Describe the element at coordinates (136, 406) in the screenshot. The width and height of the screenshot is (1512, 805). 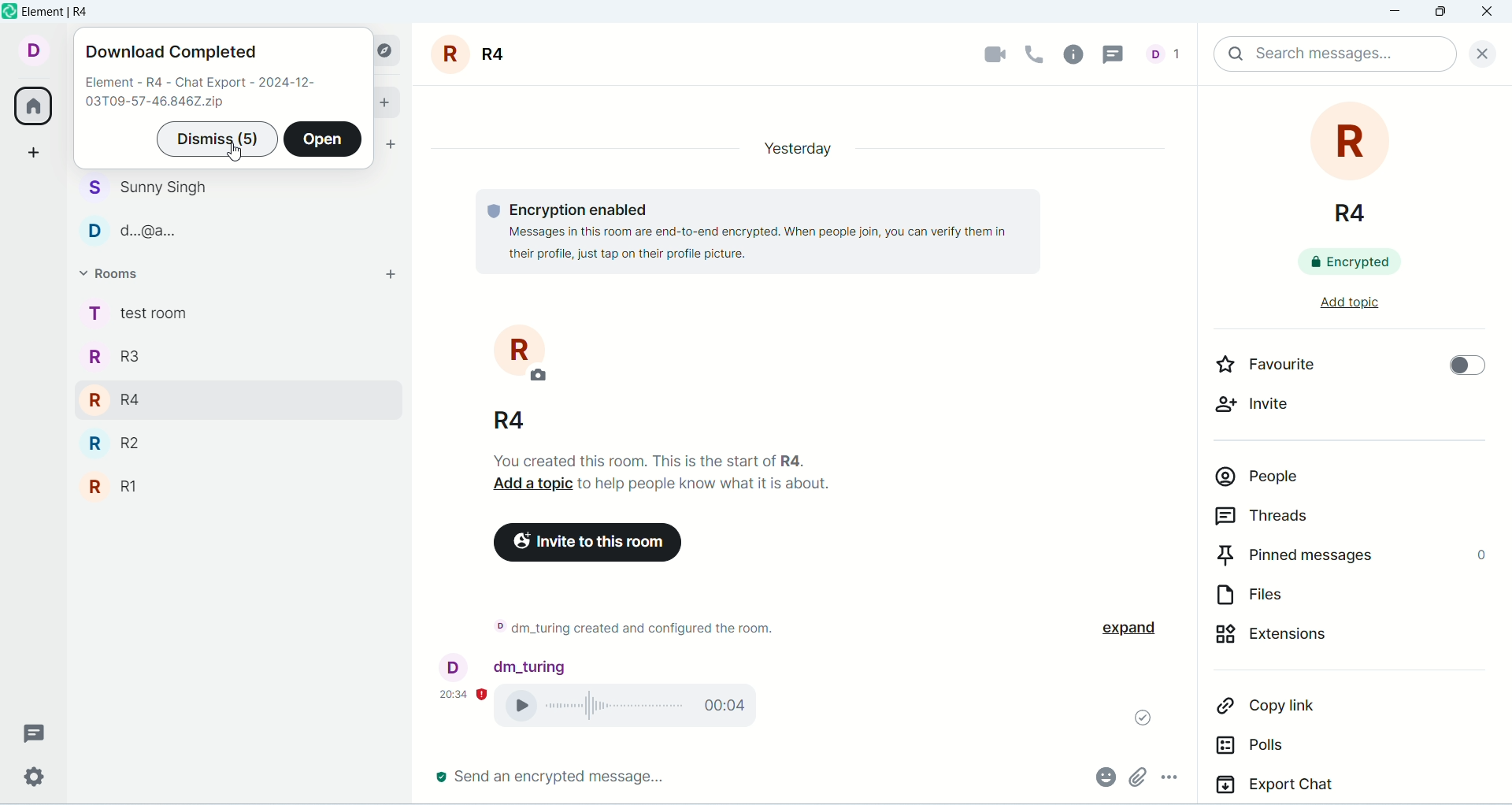
I see `rooms` at that location.